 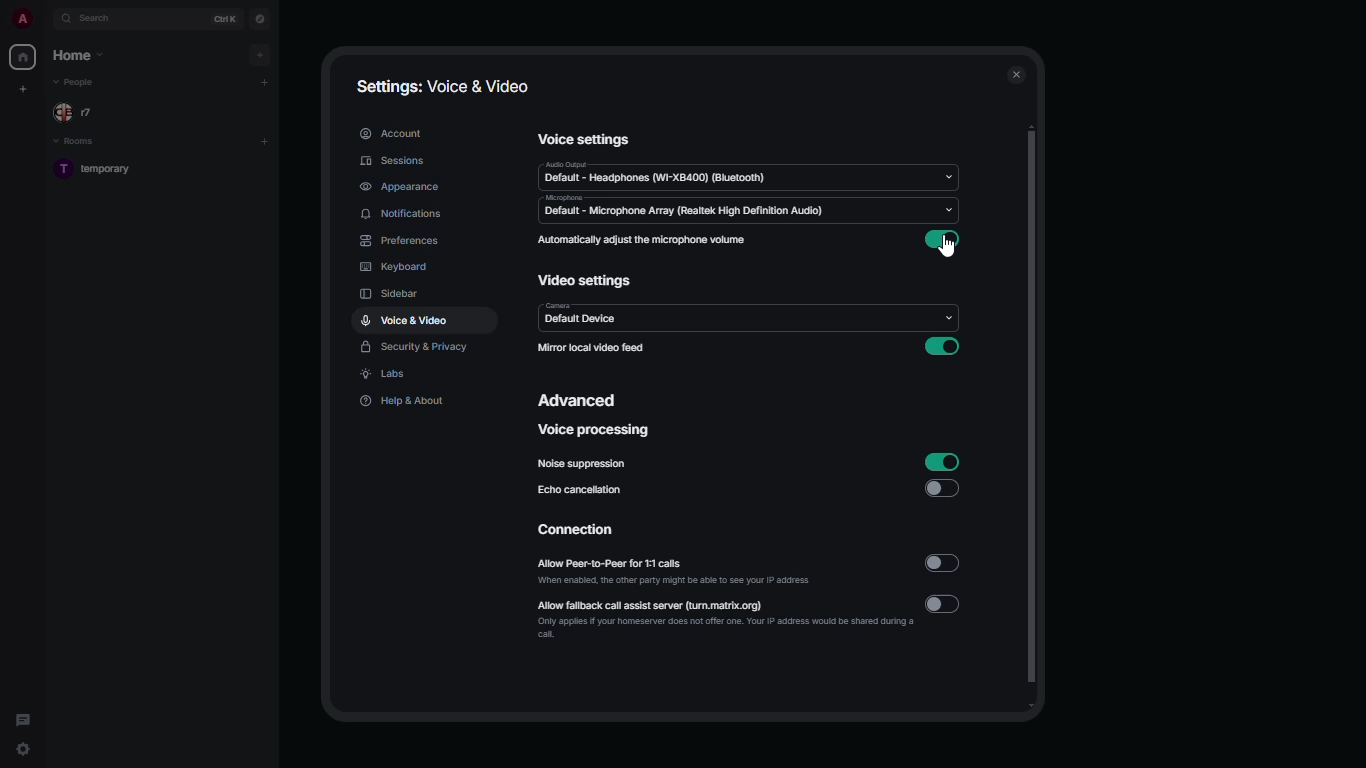 I want to click on home, so click(x=78, y=54).